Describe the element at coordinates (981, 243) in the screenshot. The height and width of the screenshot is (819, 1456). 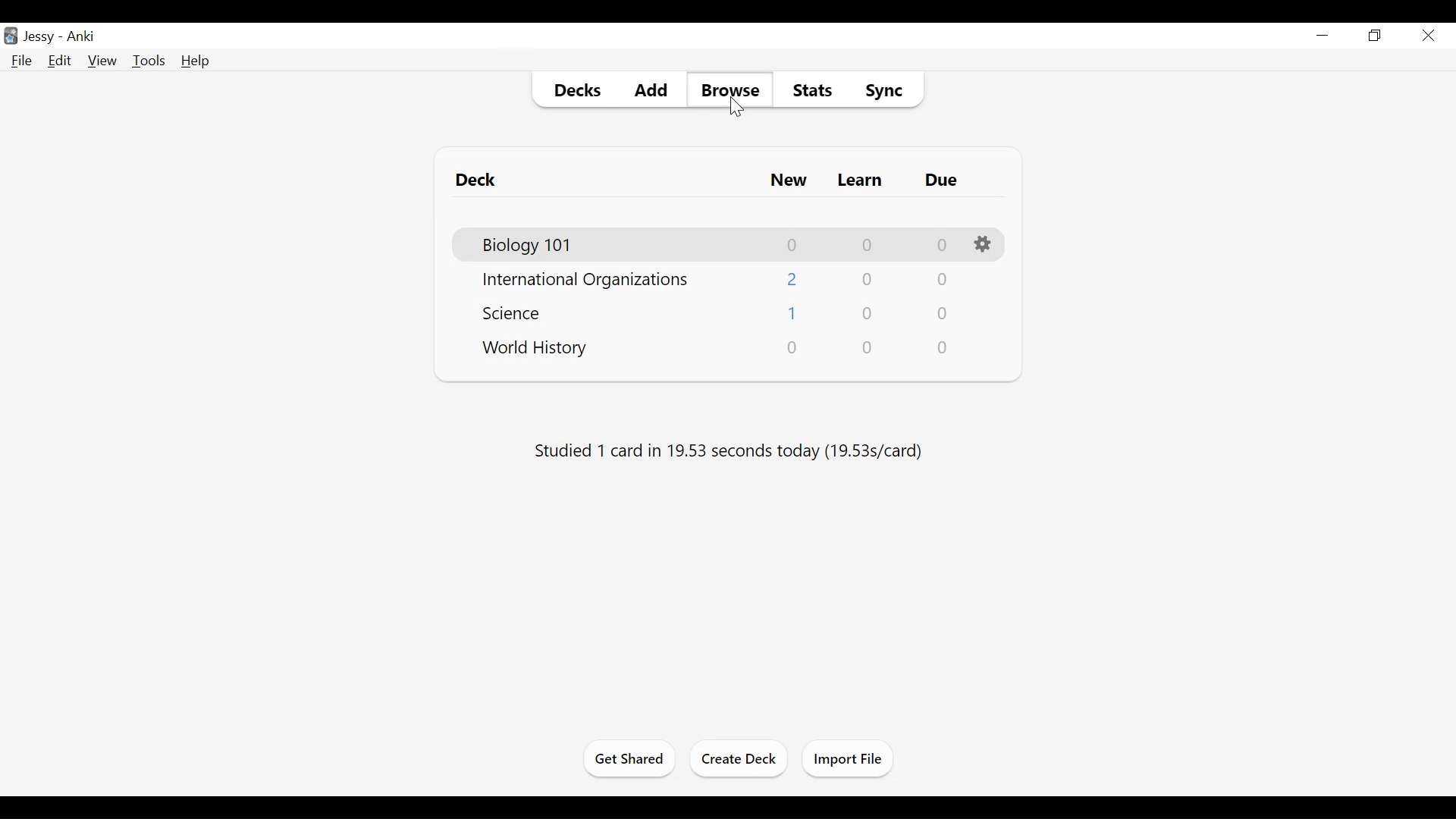
I see `Options` at that location.